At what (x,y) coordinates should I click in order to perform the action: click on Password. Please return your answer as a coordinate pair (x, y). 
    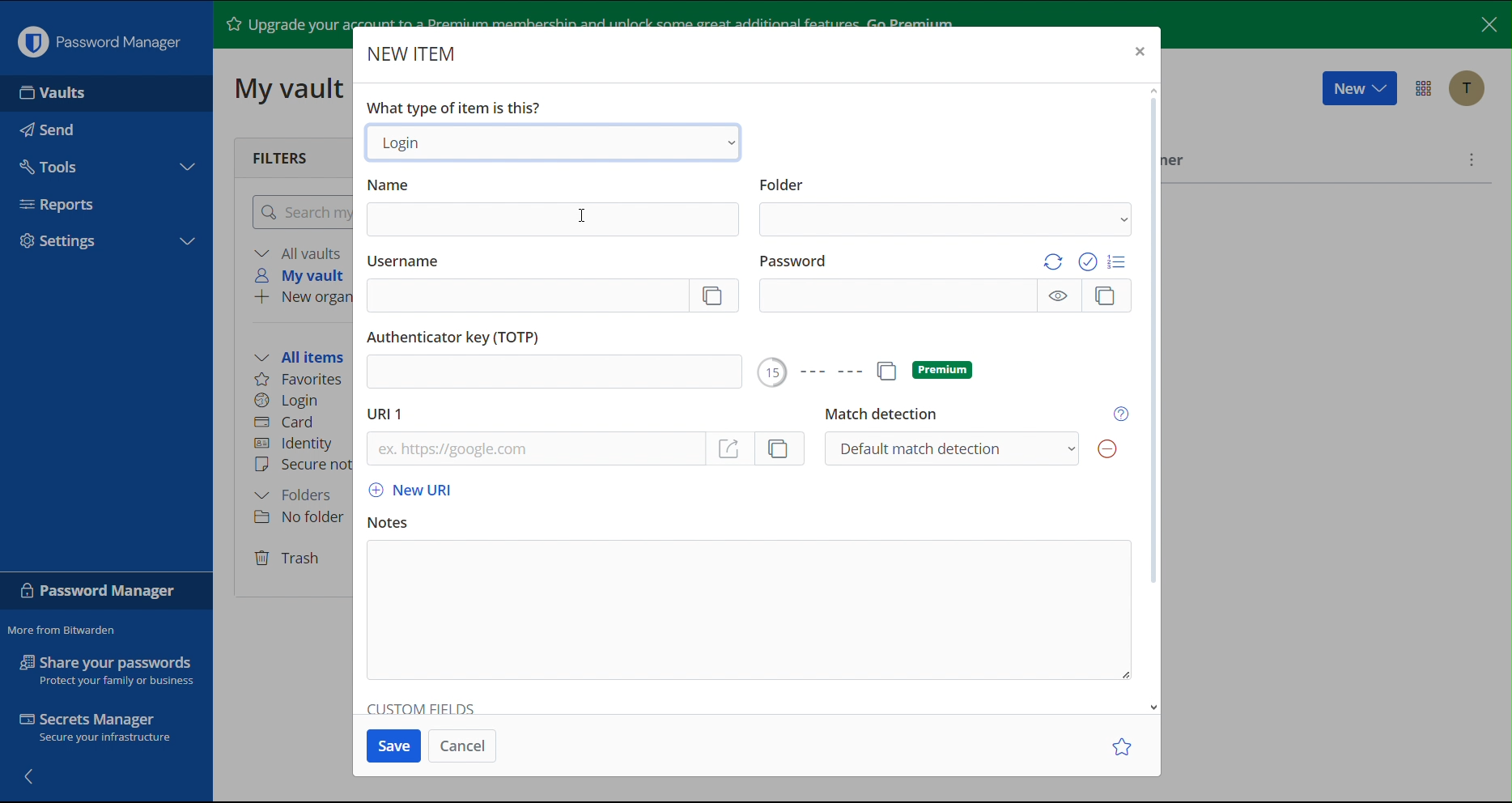
    Looking at the image, I should click on (946, 283).